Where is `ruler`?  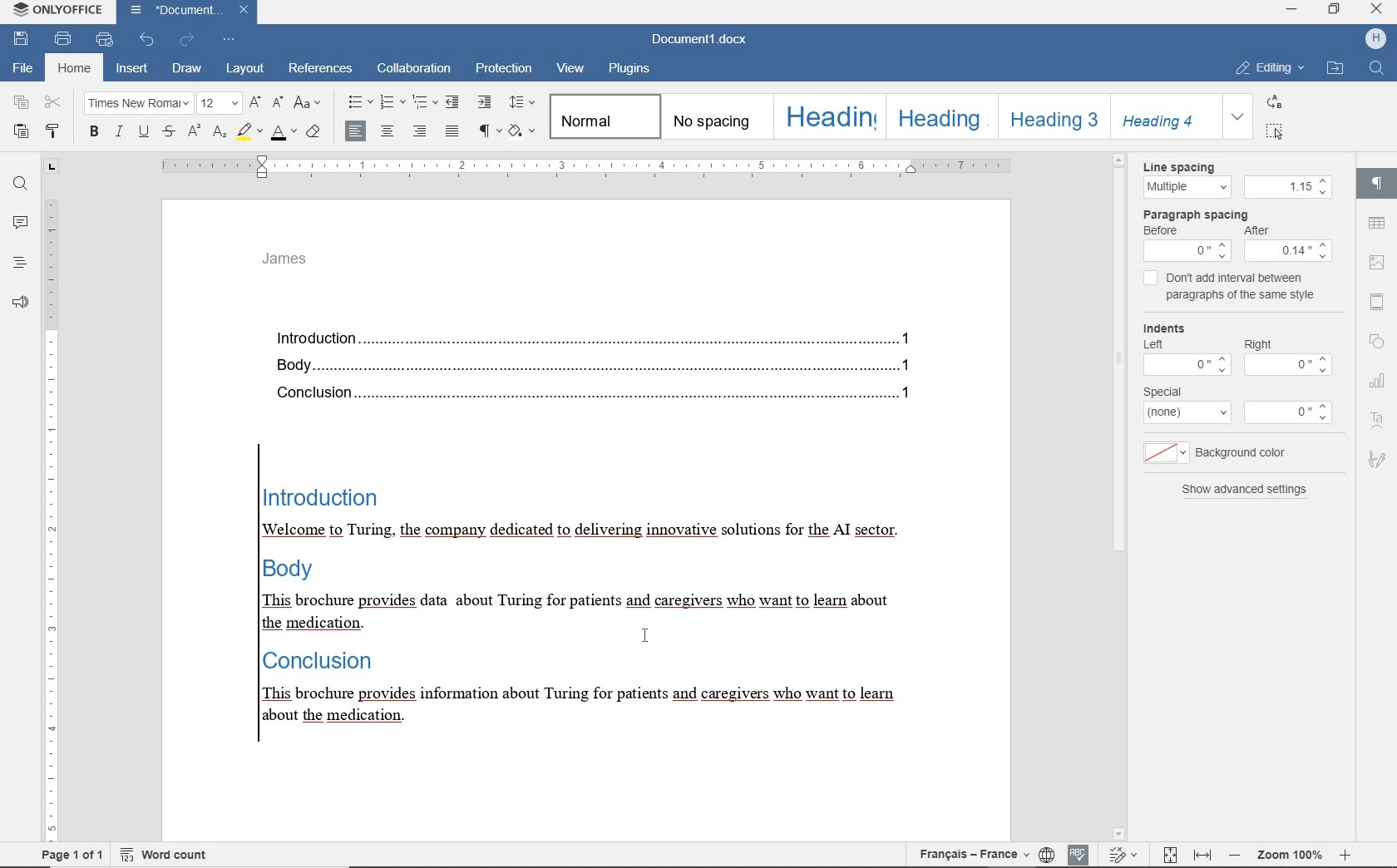
ruler is located at coordinates (593, 167).